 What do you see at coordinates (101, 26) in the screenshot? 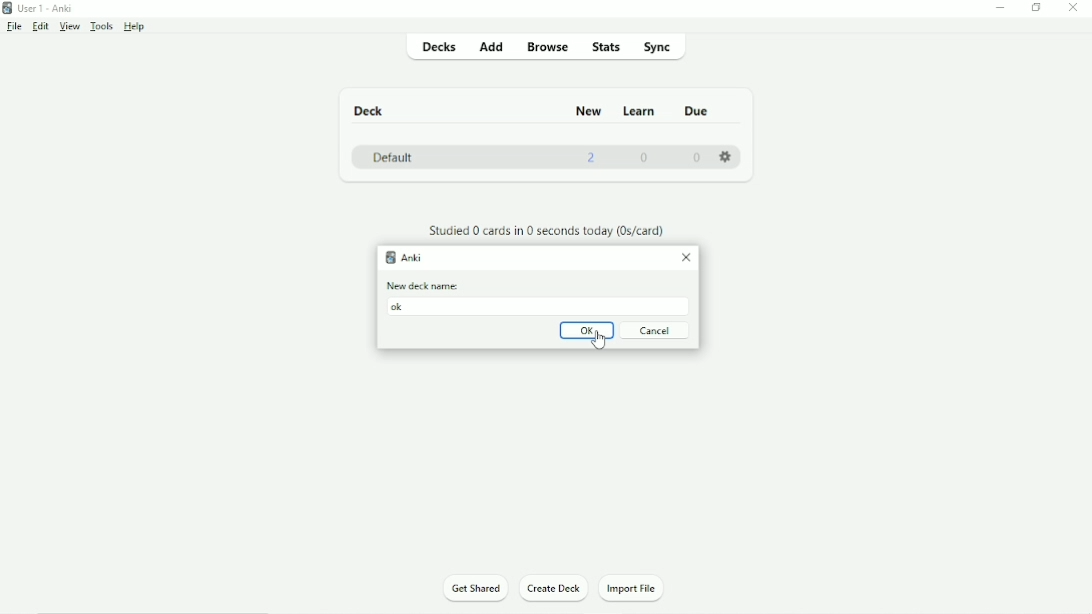
I see `Tools` at bounding box center [101, 26].